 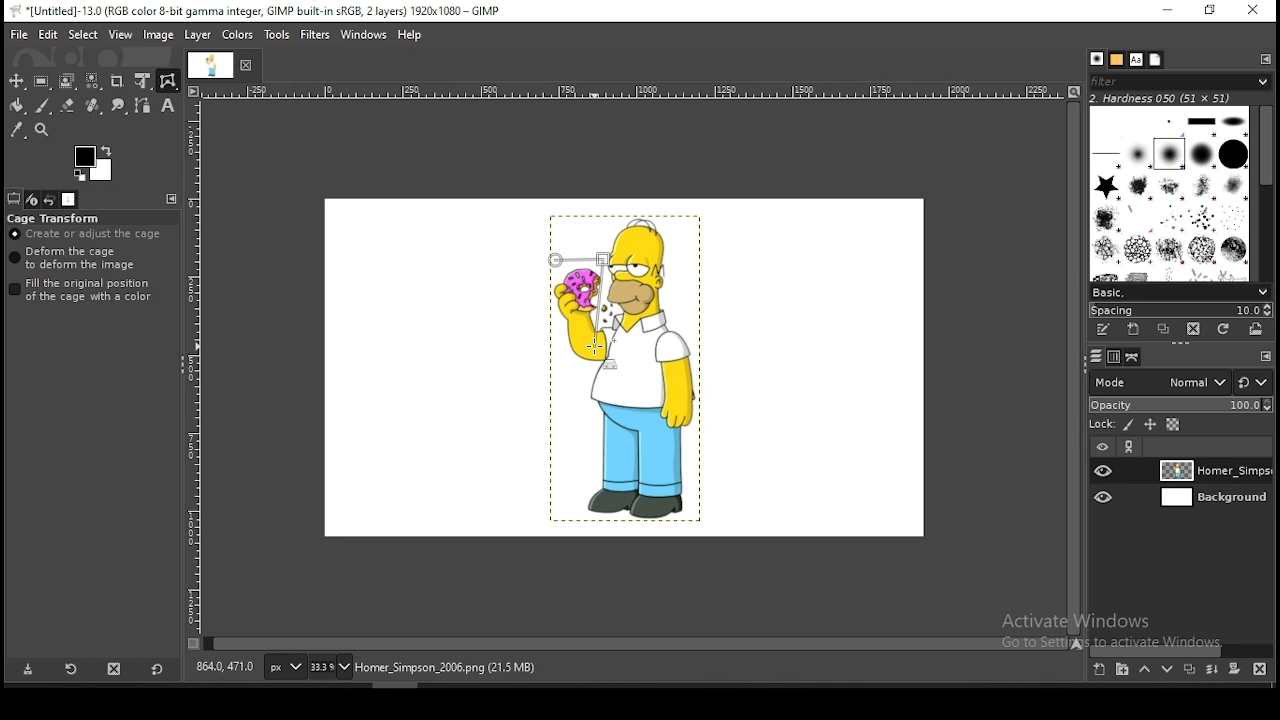 I want to click on merge layers, so click(x=1212, y=672).